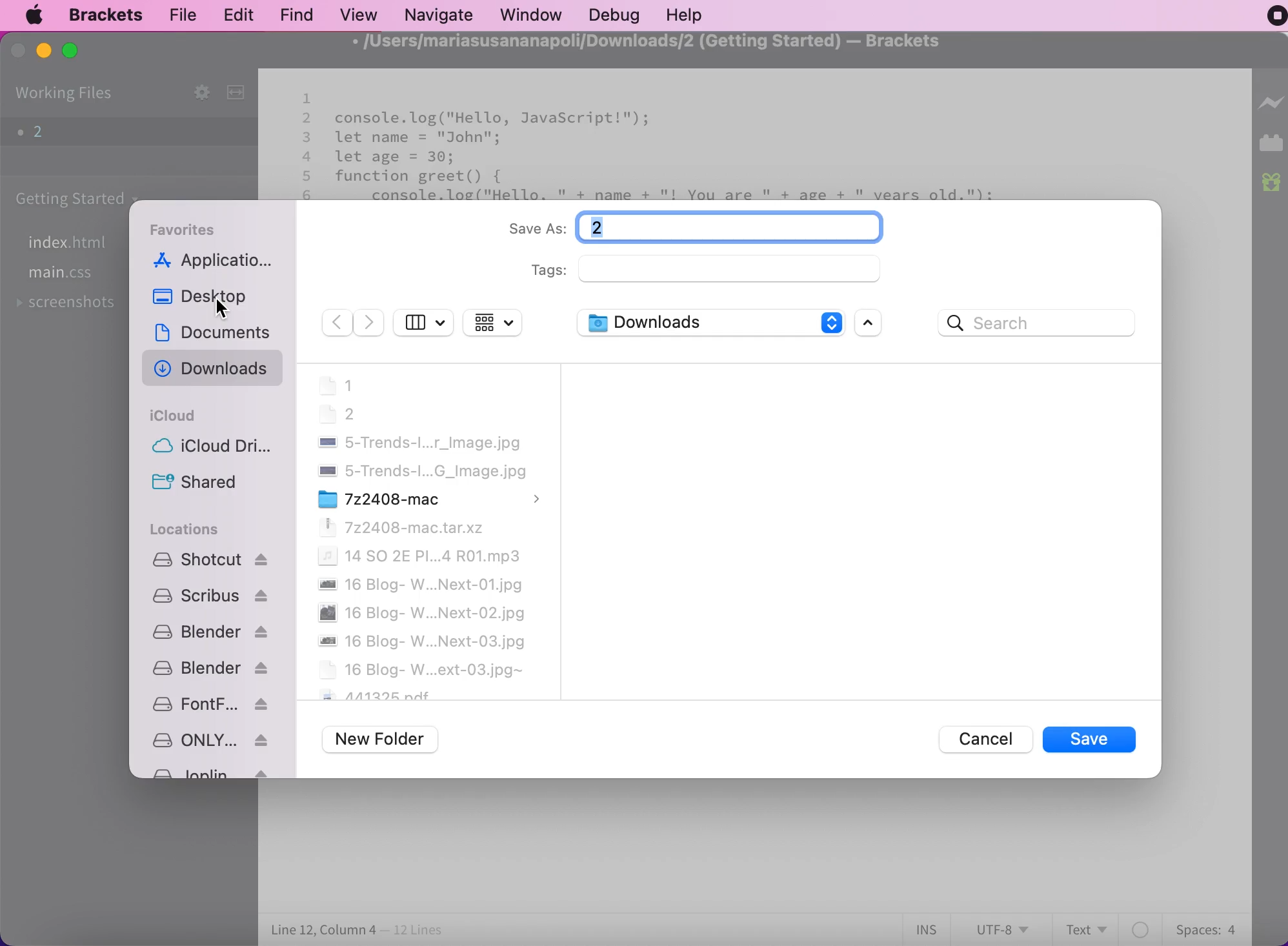 This screenshot has width=1288, height=946. I want to click on line 12, column 4 - 12 lines, so click(358, 931).